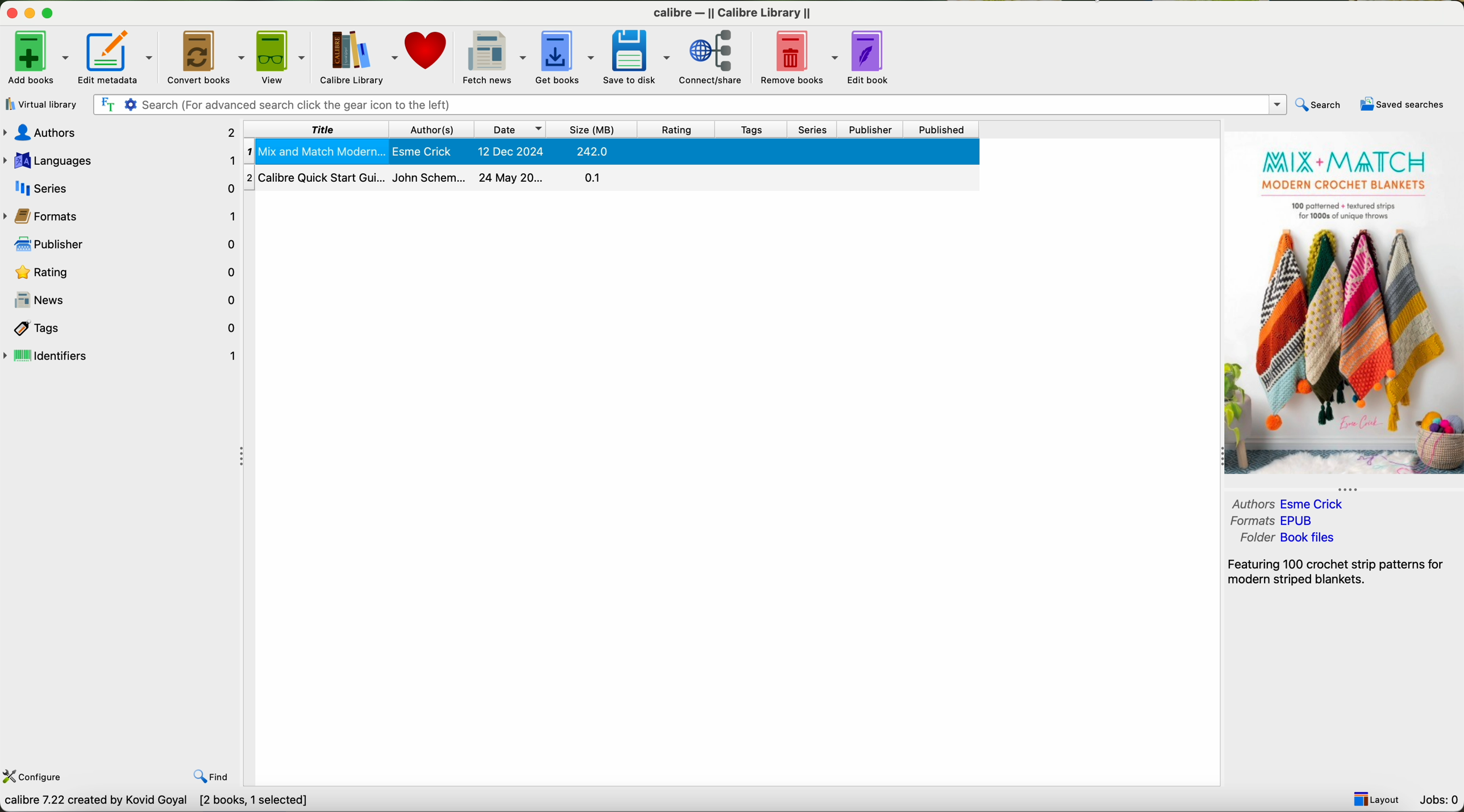  What do you see at coordinates (1292, 505) in the screenshot?
I see `authors` at bounding box center [1292, 505].